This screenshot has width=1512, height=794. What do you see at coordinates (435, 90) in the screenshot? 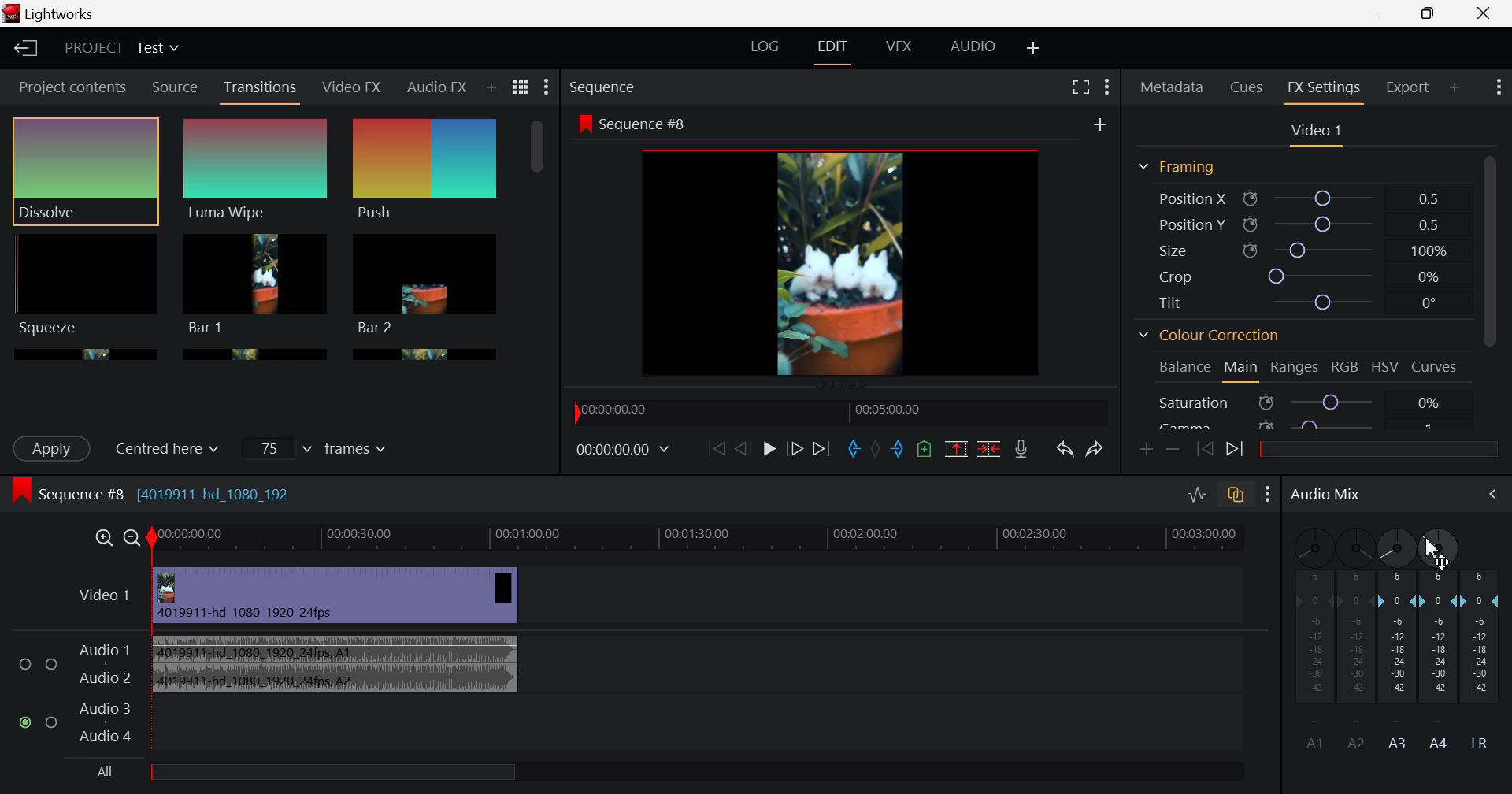
I see `Audio FX` at bounding box center [435, 90].